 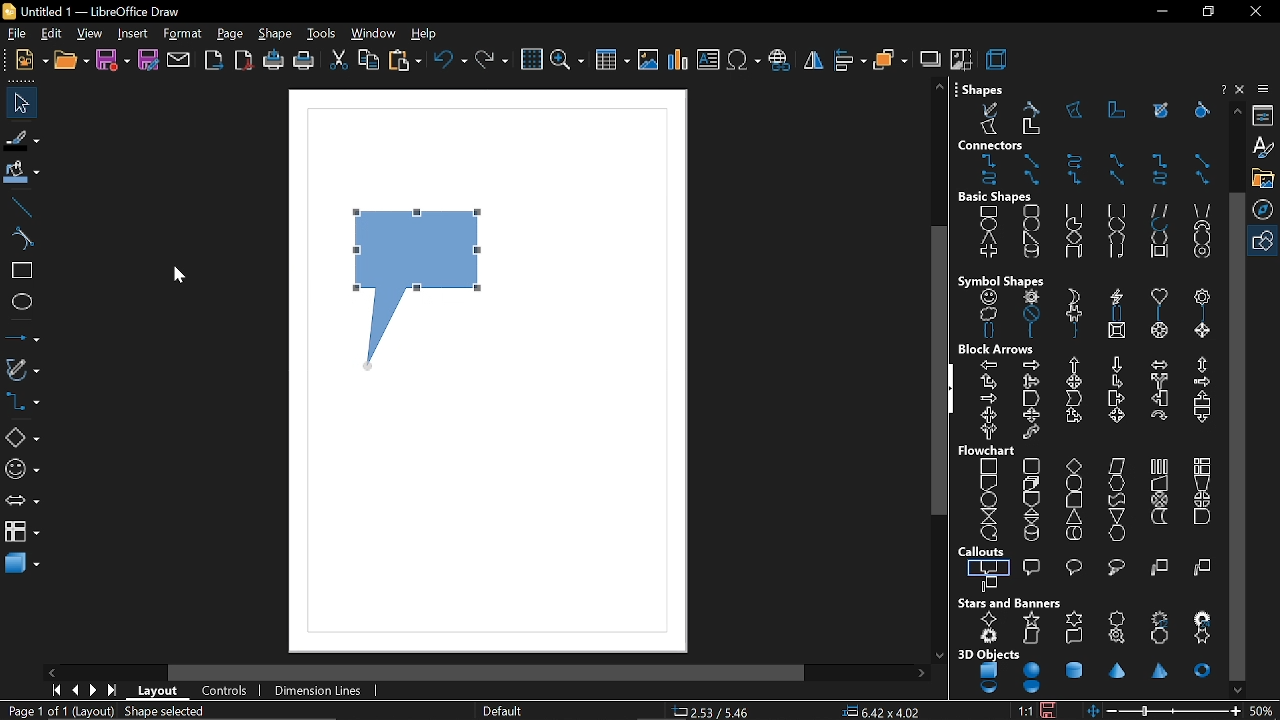 I want to click on signet, so click(x=1119, y=638).